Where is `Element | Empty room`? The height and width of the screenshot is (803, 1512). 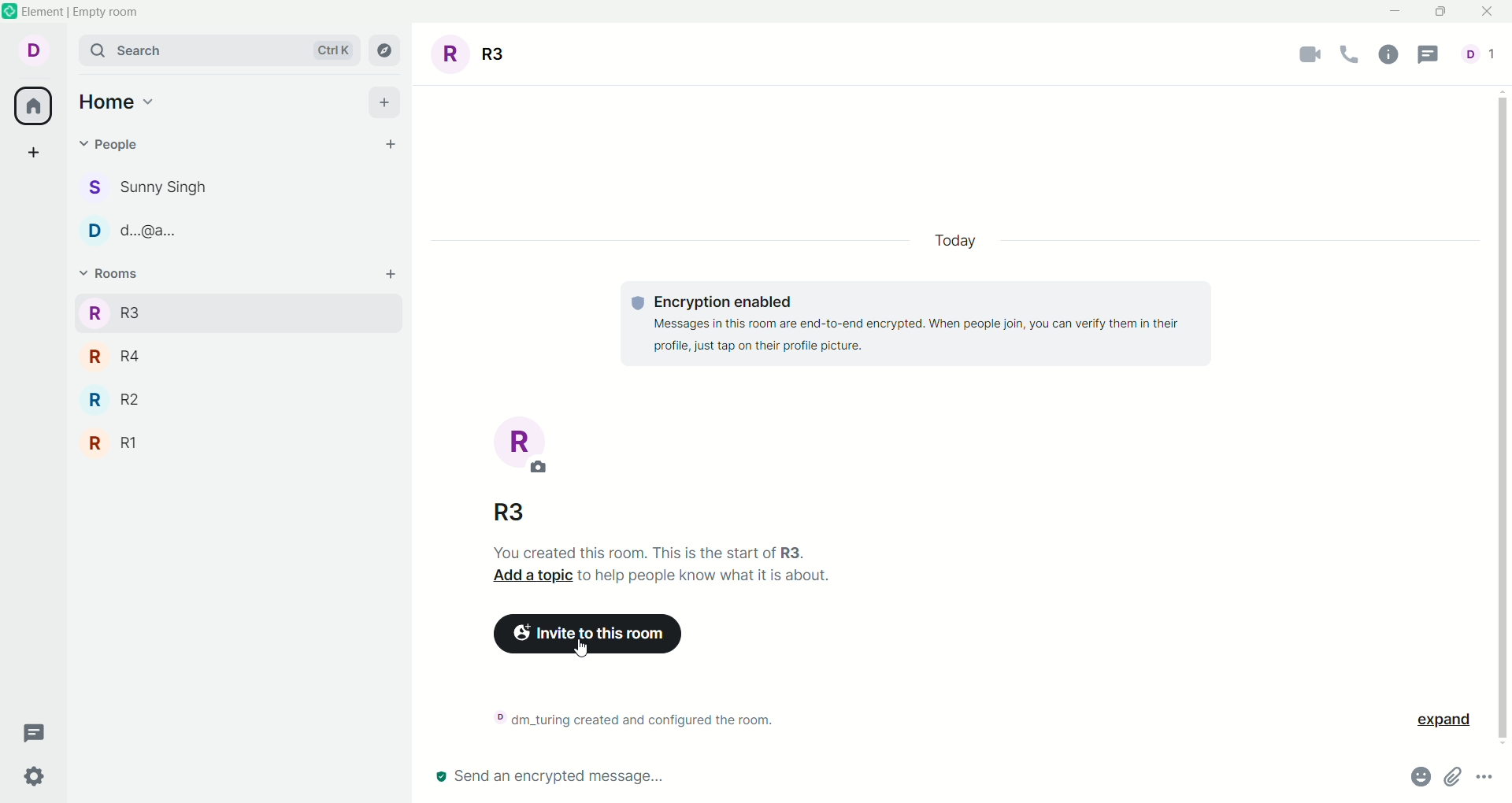 Element | Empty room is located at coordinates (82, 12).